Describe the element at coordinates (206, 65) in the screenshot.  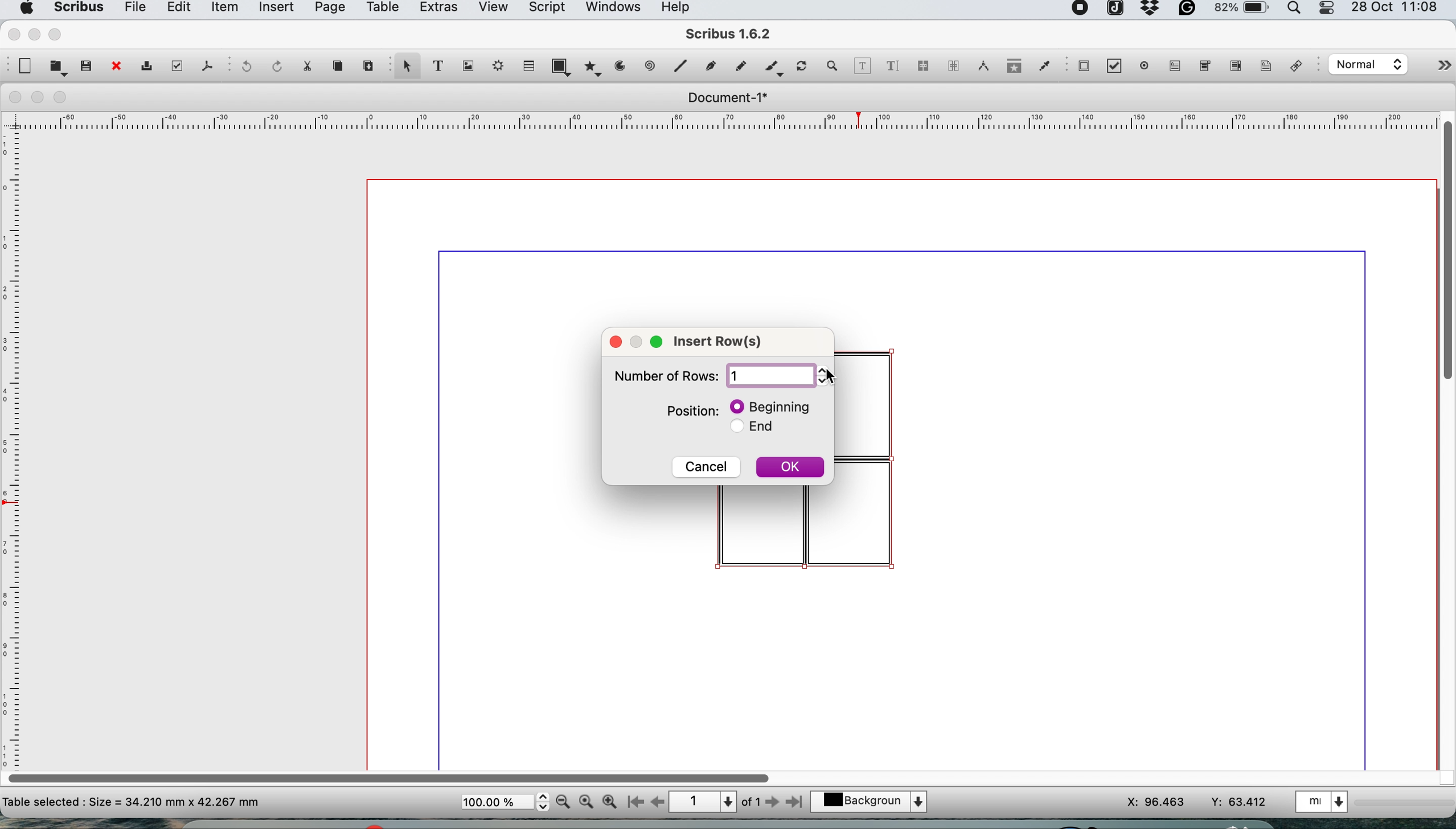
I see `save as pdf` at that location.